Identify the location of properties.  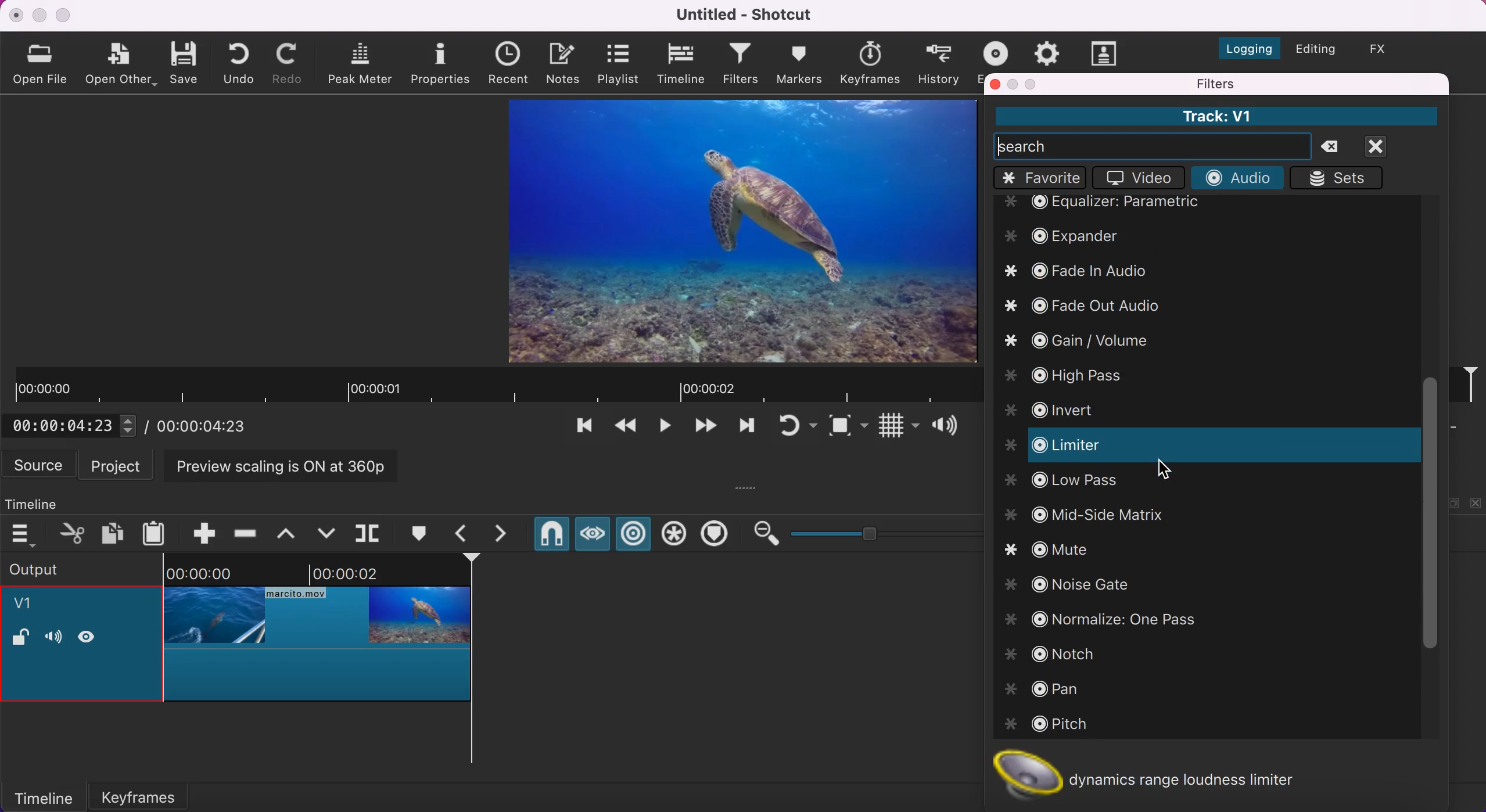
(442, 62).